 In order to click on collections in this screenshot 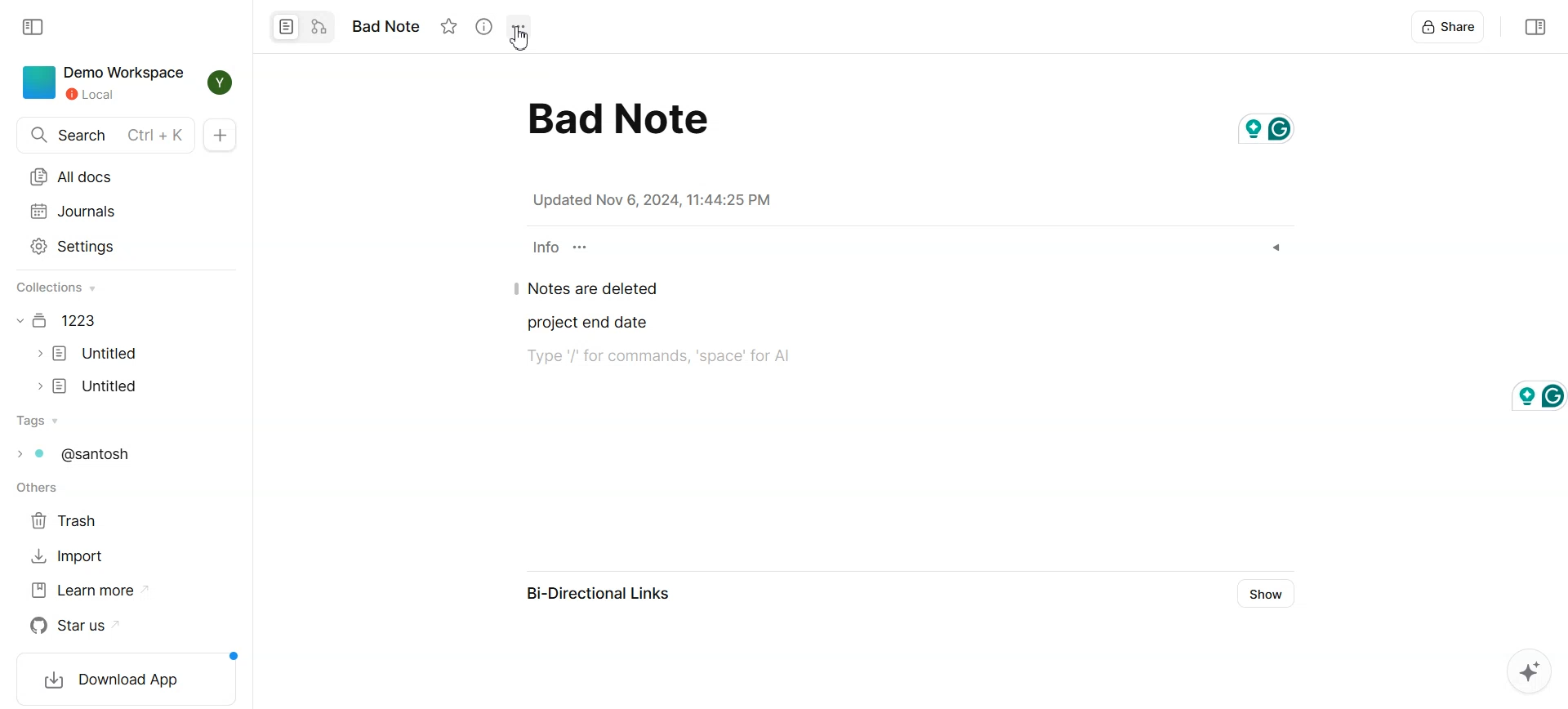, I will do `click(58, 288)`.